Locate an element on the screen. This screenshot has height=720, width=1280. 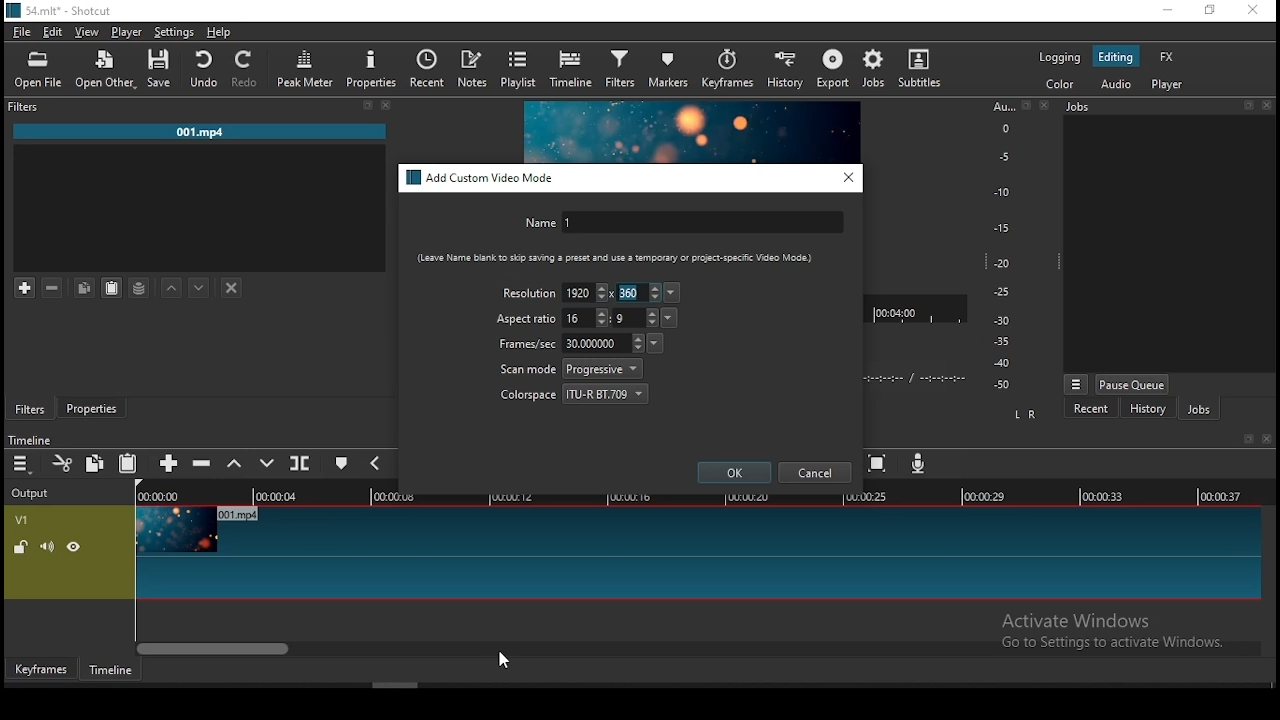
save is located at coordinates (164, 69).